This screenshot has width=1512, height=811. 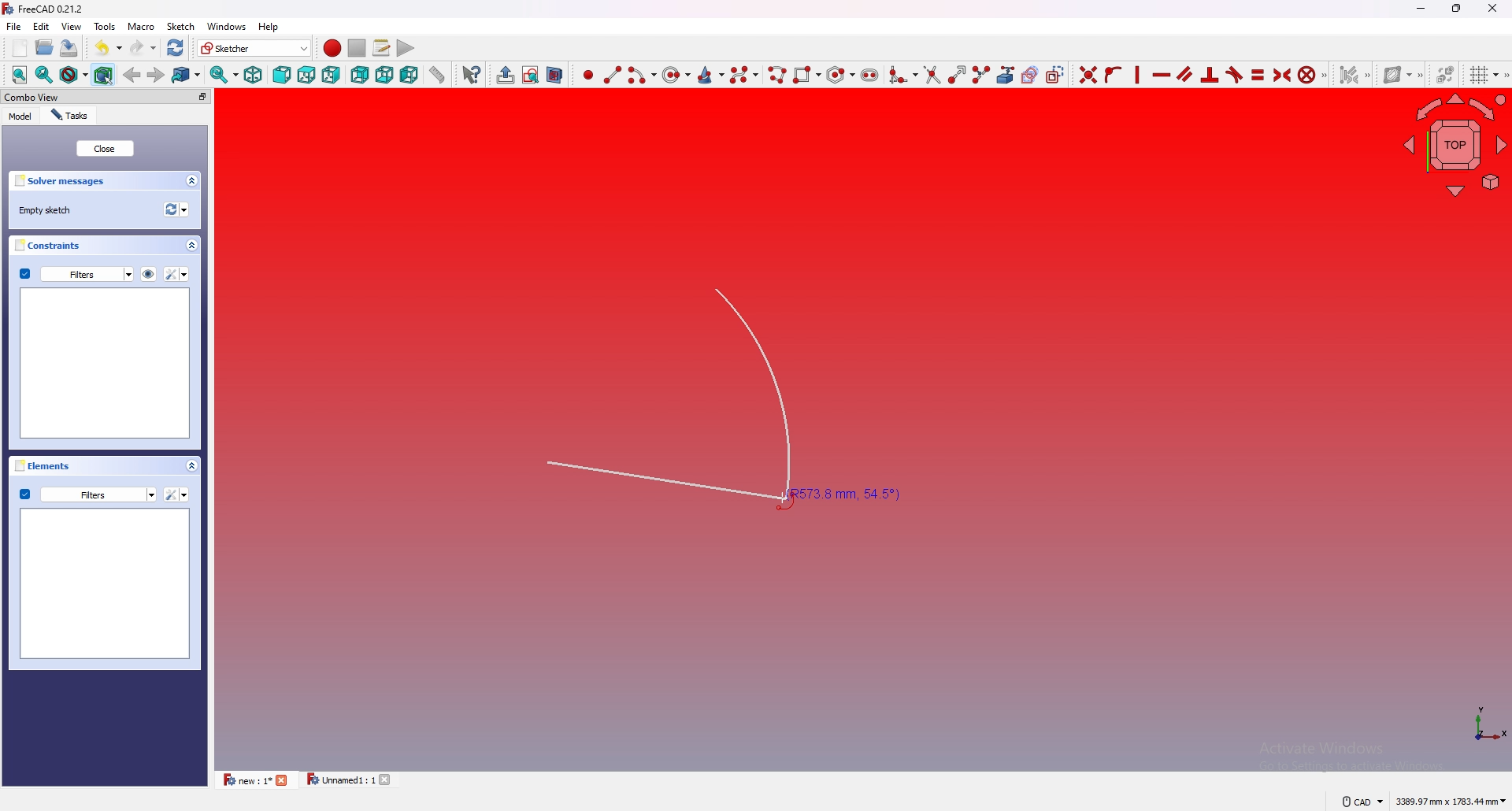 What do you see at coordinates (641, 76) in the screenshot?
I see `create arc` at bounding box center [641, 76].